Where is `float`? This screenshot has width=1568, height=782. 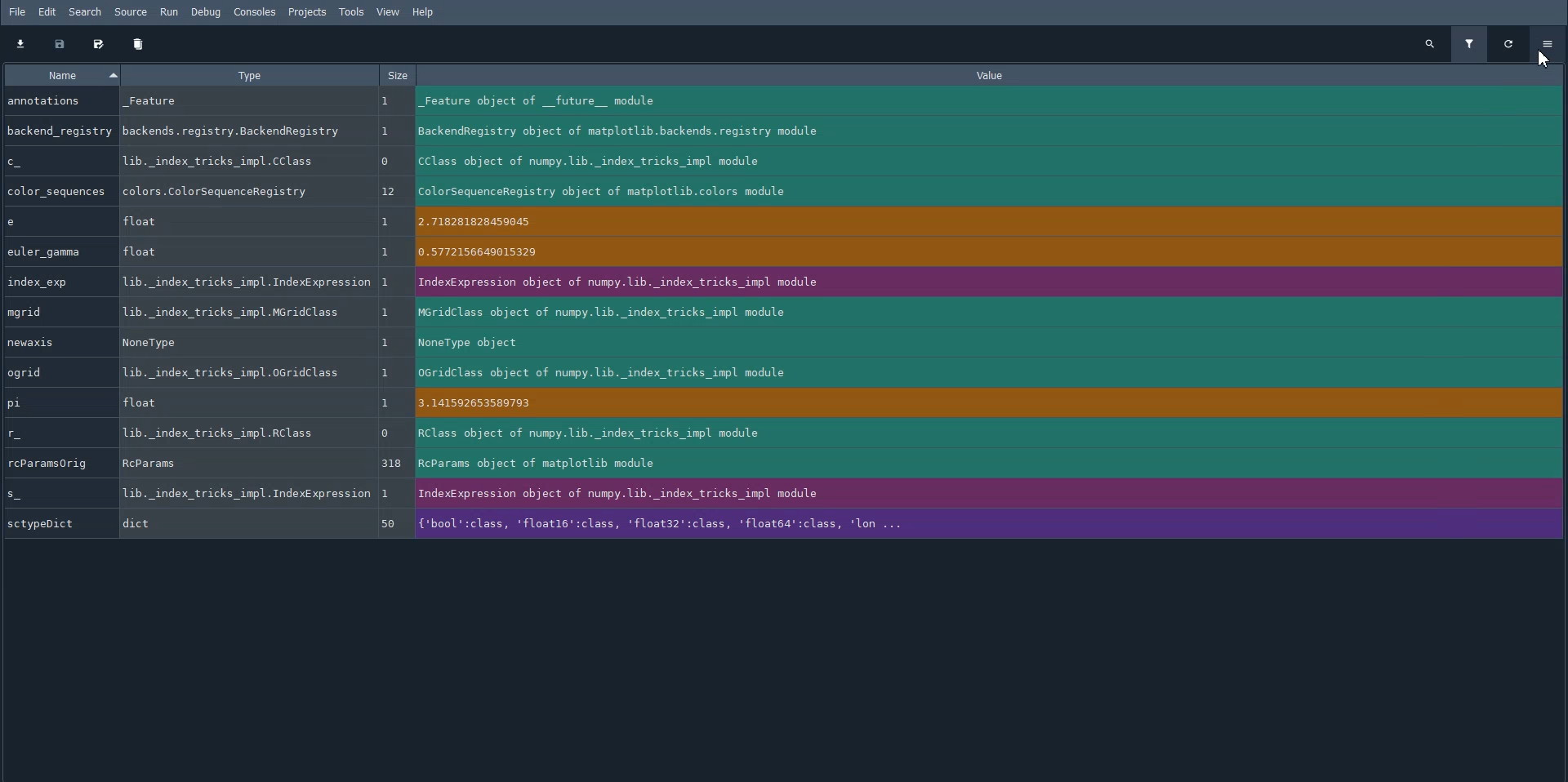
float is located at coordinates (227, 222).